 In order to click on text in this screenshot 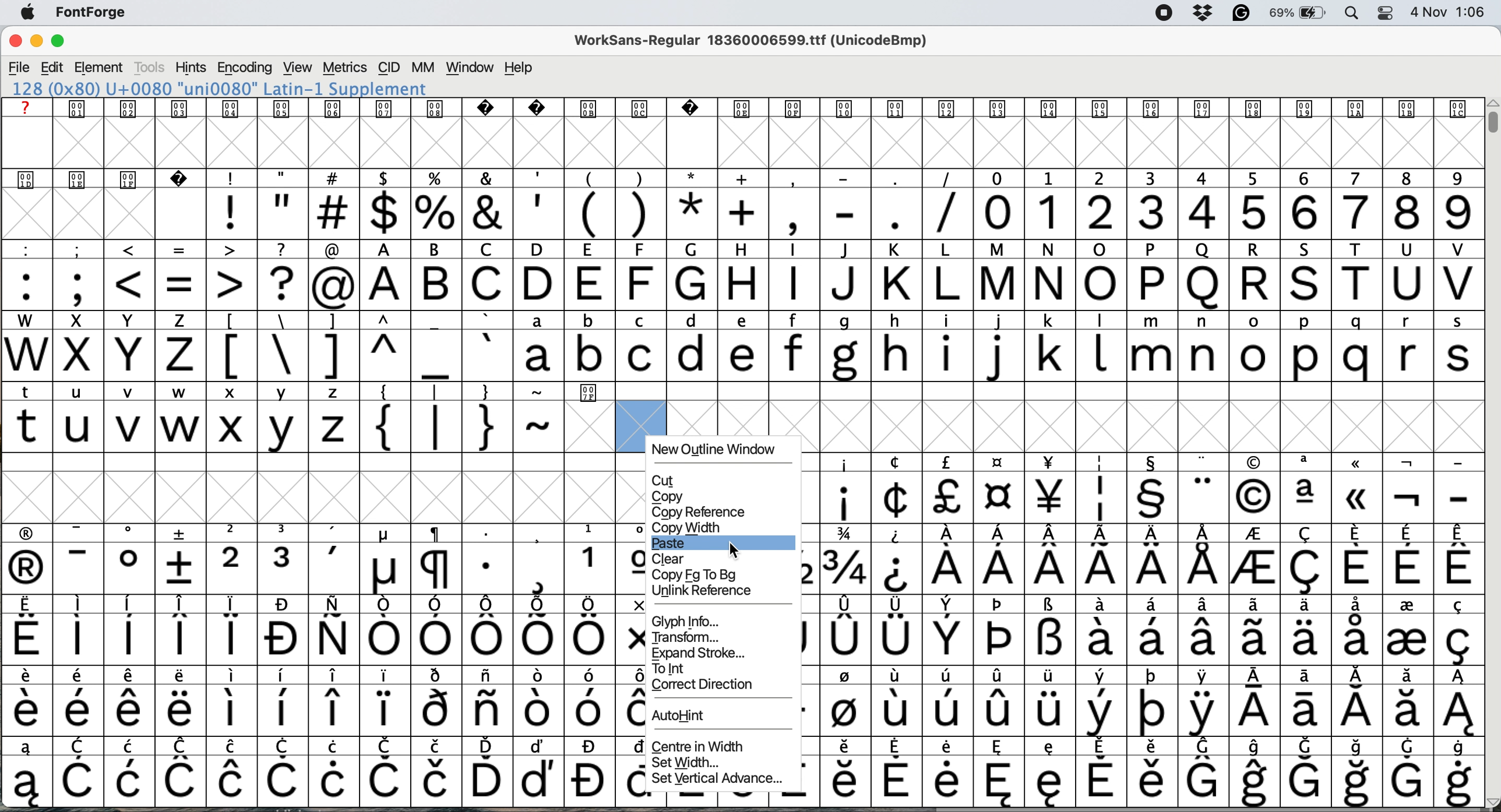, I will do `click(739, 110)`.